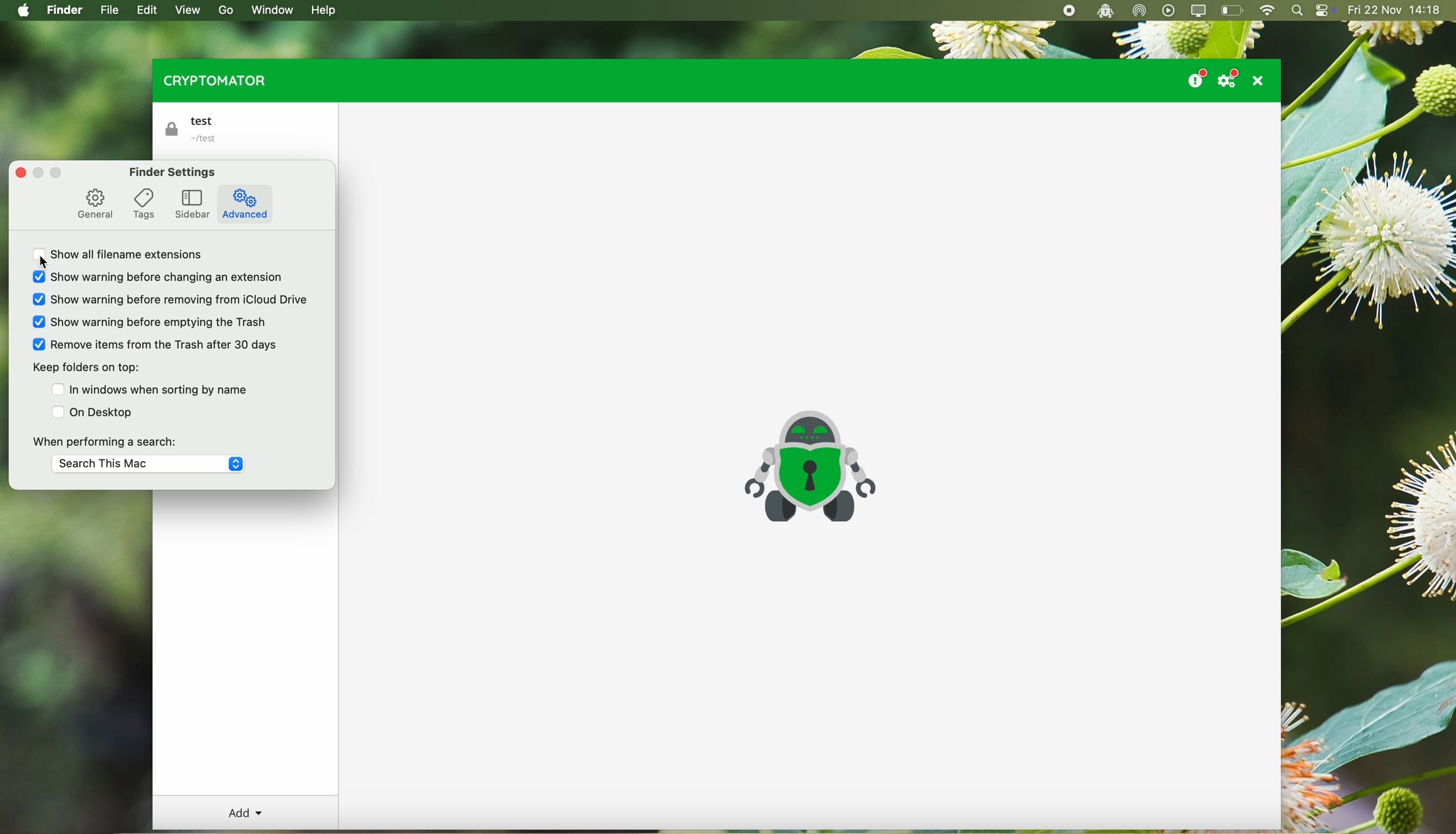 The width and height of the screenshot is (1456, 834). Describe the element at coordinates (224, 10) in the screenshot. I see `go` at that location.